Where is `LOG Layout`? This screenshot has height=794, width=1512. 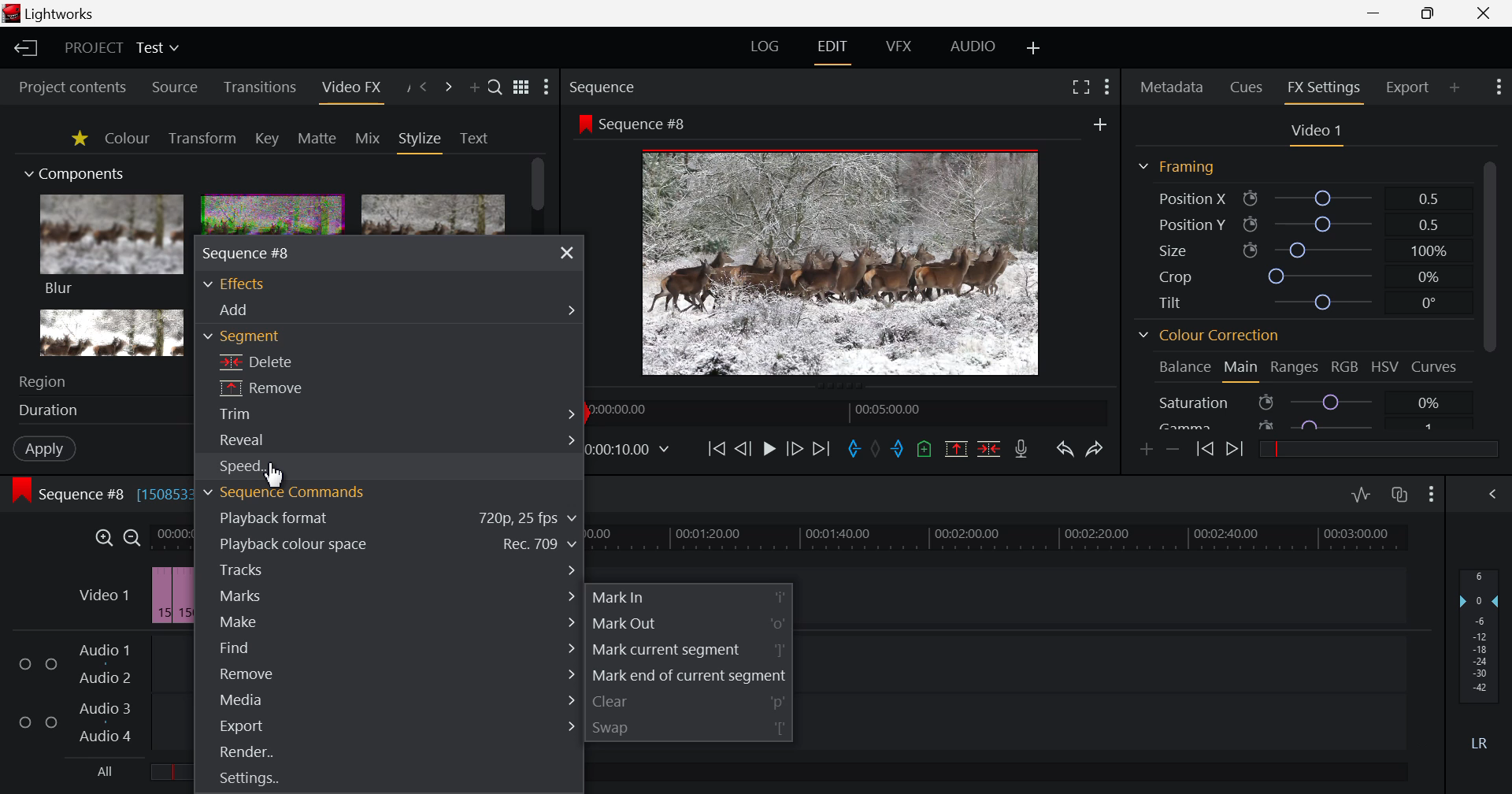
LOG Layout is located at coordinates (765, 47).